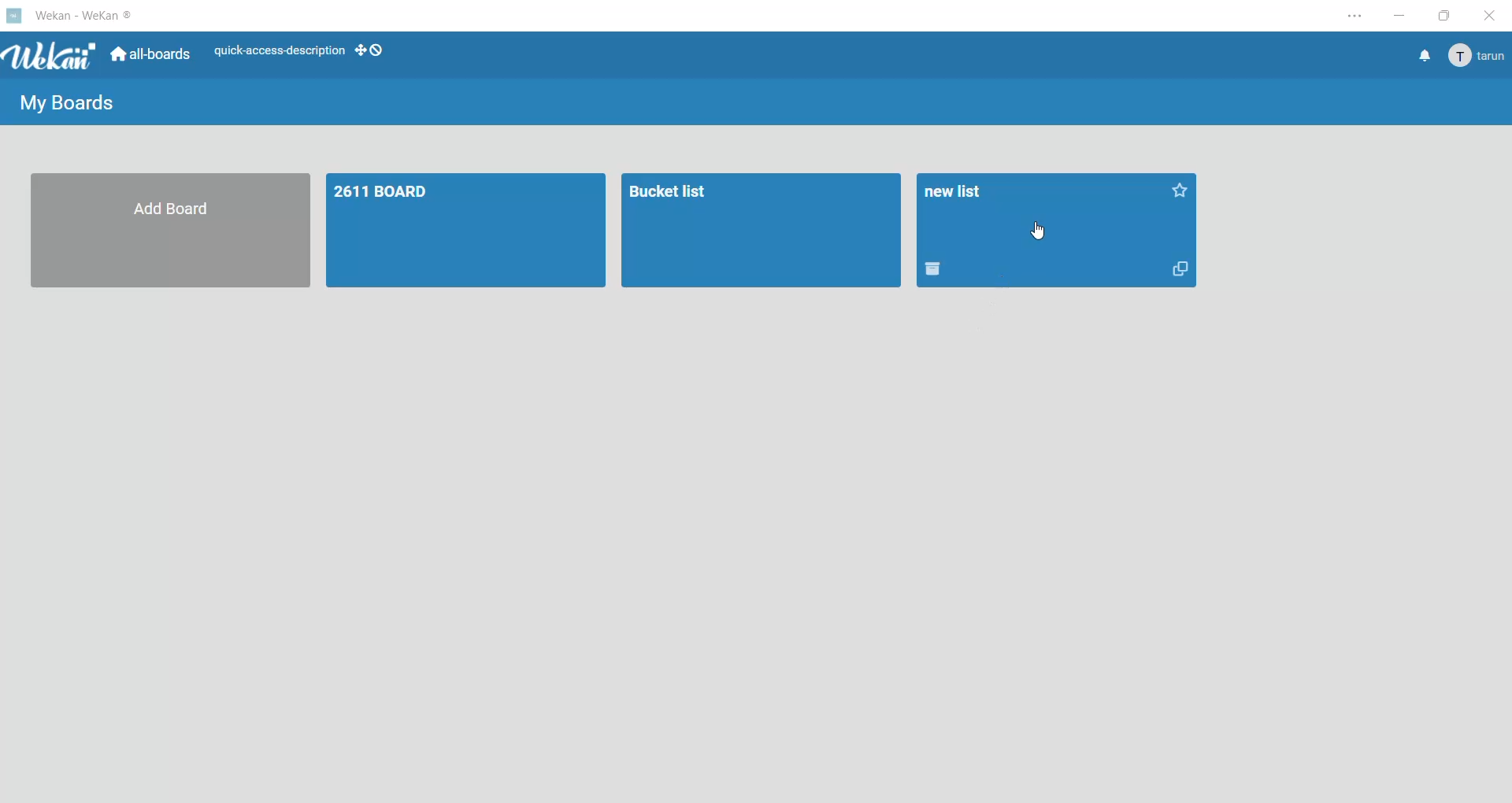 Image resolution: width=1512 pixels, height=803 pixels. I want to click on board, so click(462, 231).